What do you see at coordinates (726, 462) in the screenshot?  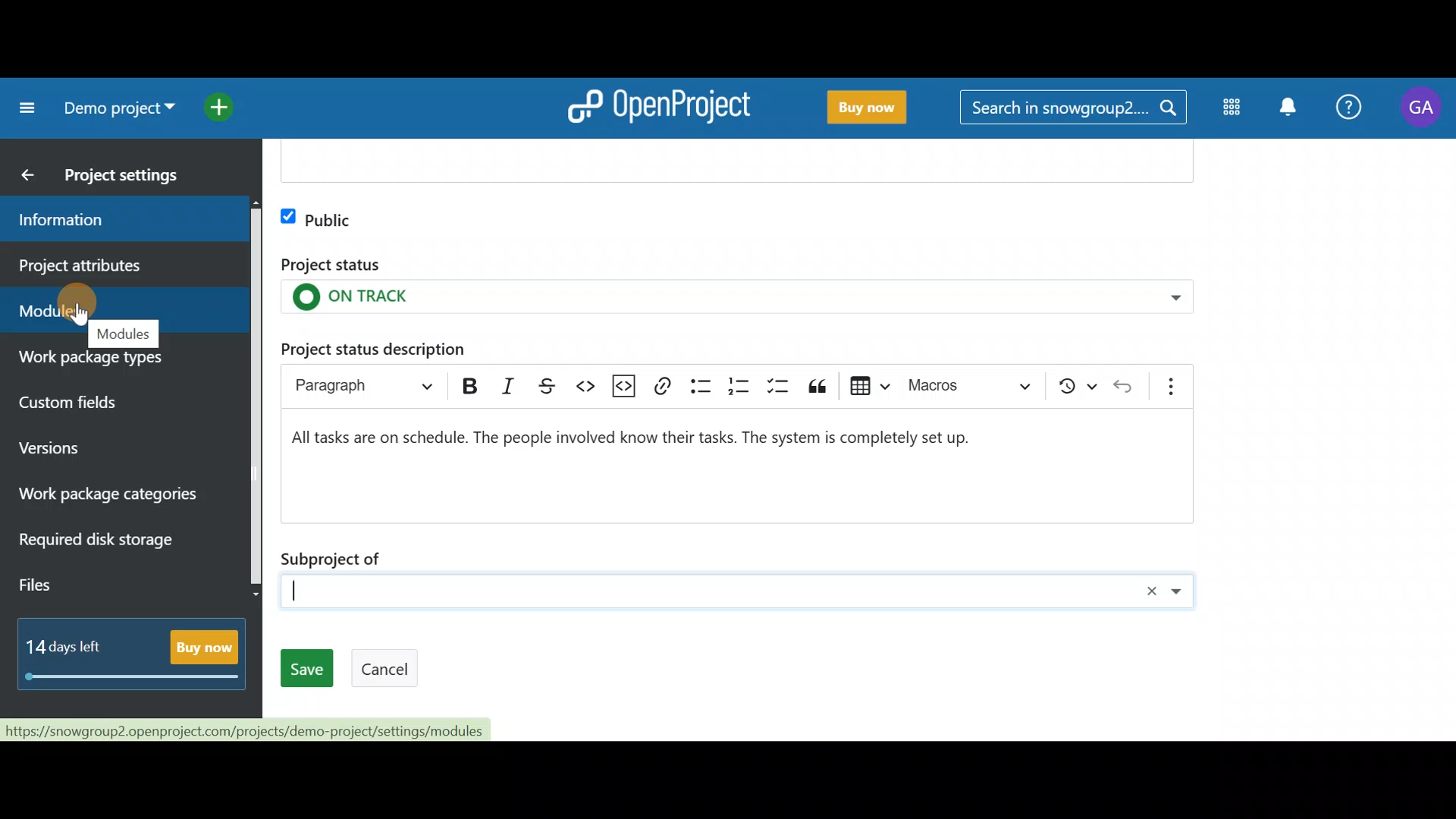 I see `Project status description` at bounding box center [726, 462].